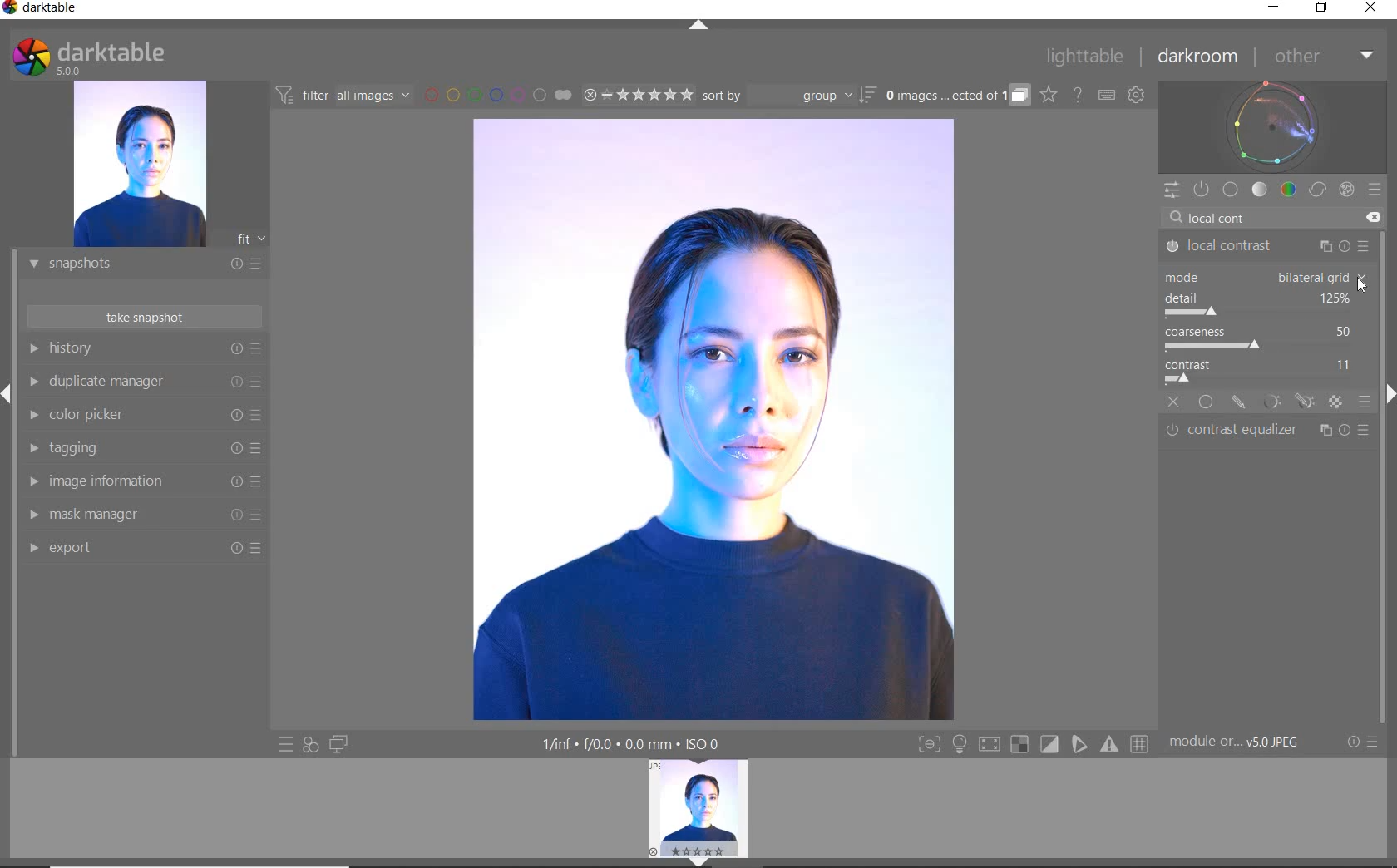  Describe the element at coordinates (1085, 59) in the screenshot. I see `LIGHTTABLE` at that location.